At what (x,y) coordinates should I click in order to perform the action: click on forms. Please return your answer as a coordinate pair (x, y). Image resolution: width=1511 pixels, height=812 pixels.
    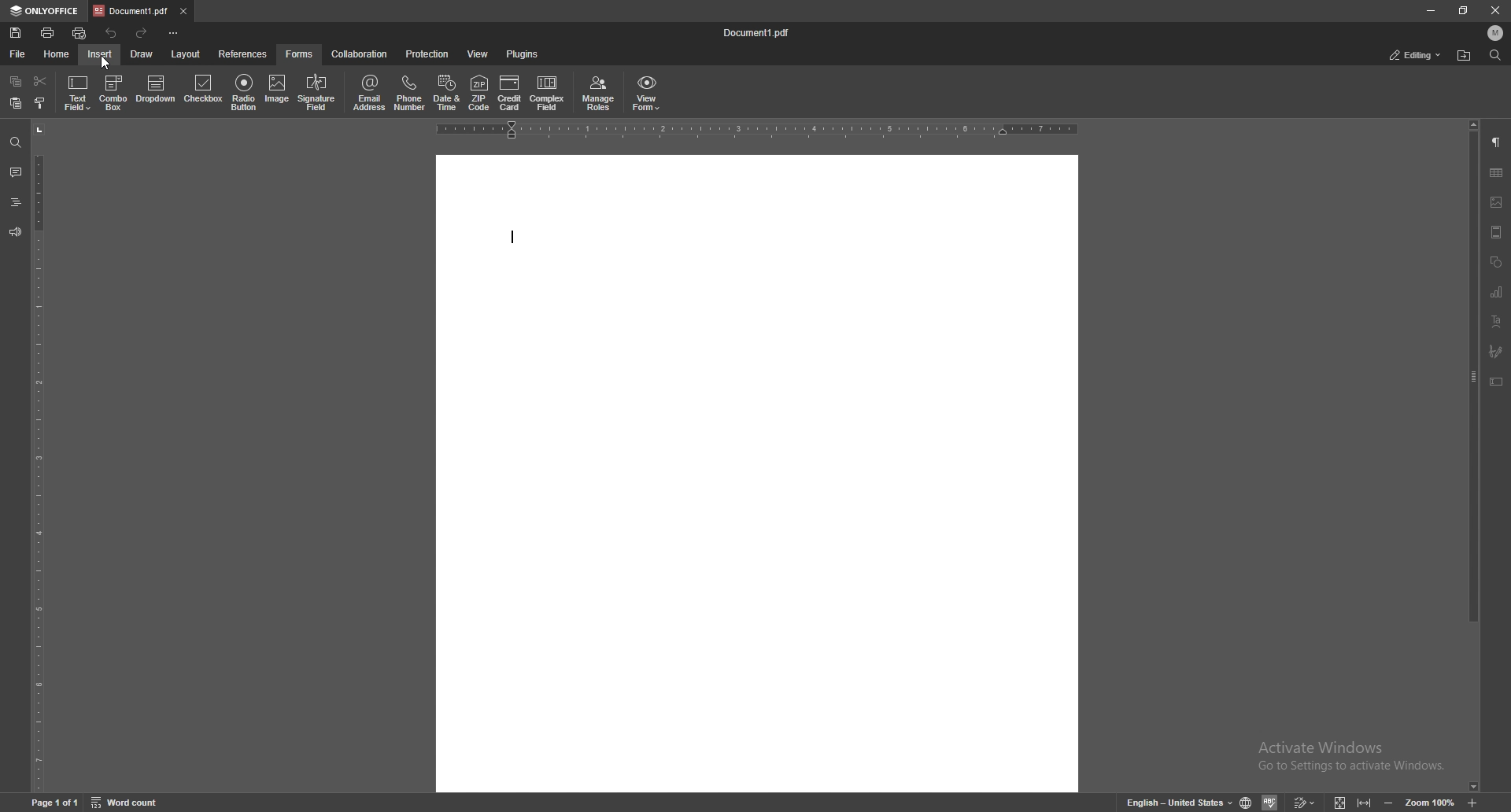
    Looking at the image, I should click on (301, 54).